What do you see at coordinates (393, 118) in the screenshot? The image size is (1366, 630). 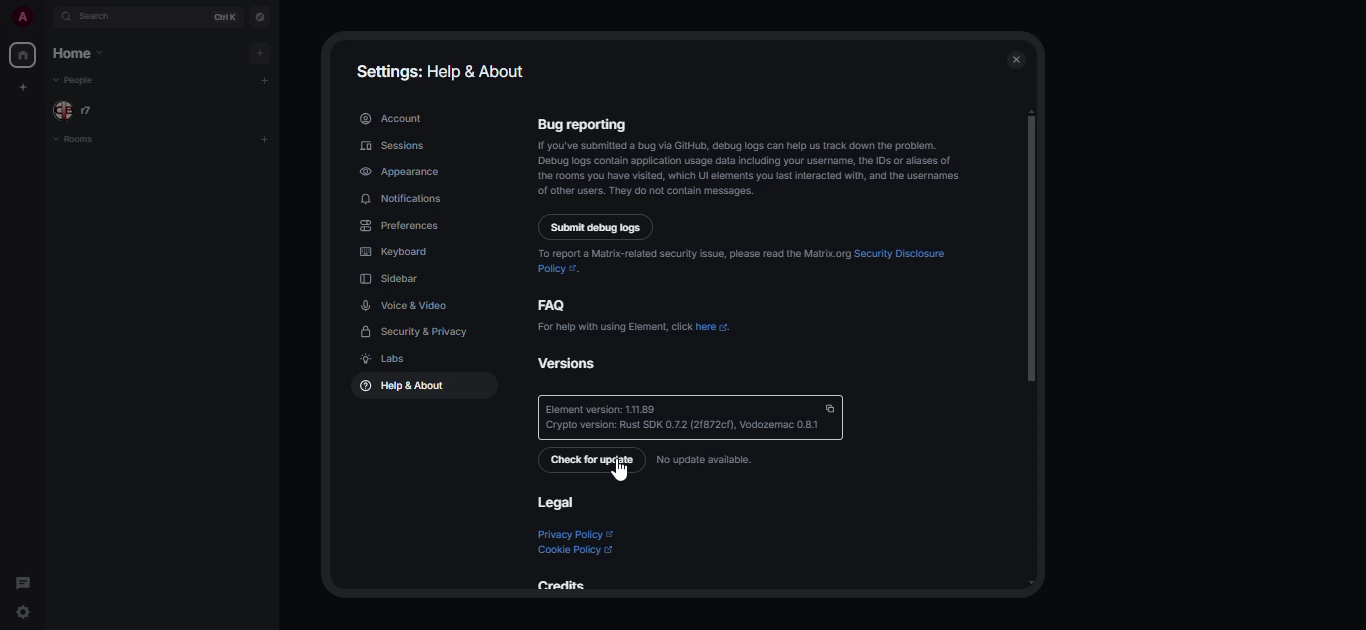 I see `account` at bounding box center [393, 118].